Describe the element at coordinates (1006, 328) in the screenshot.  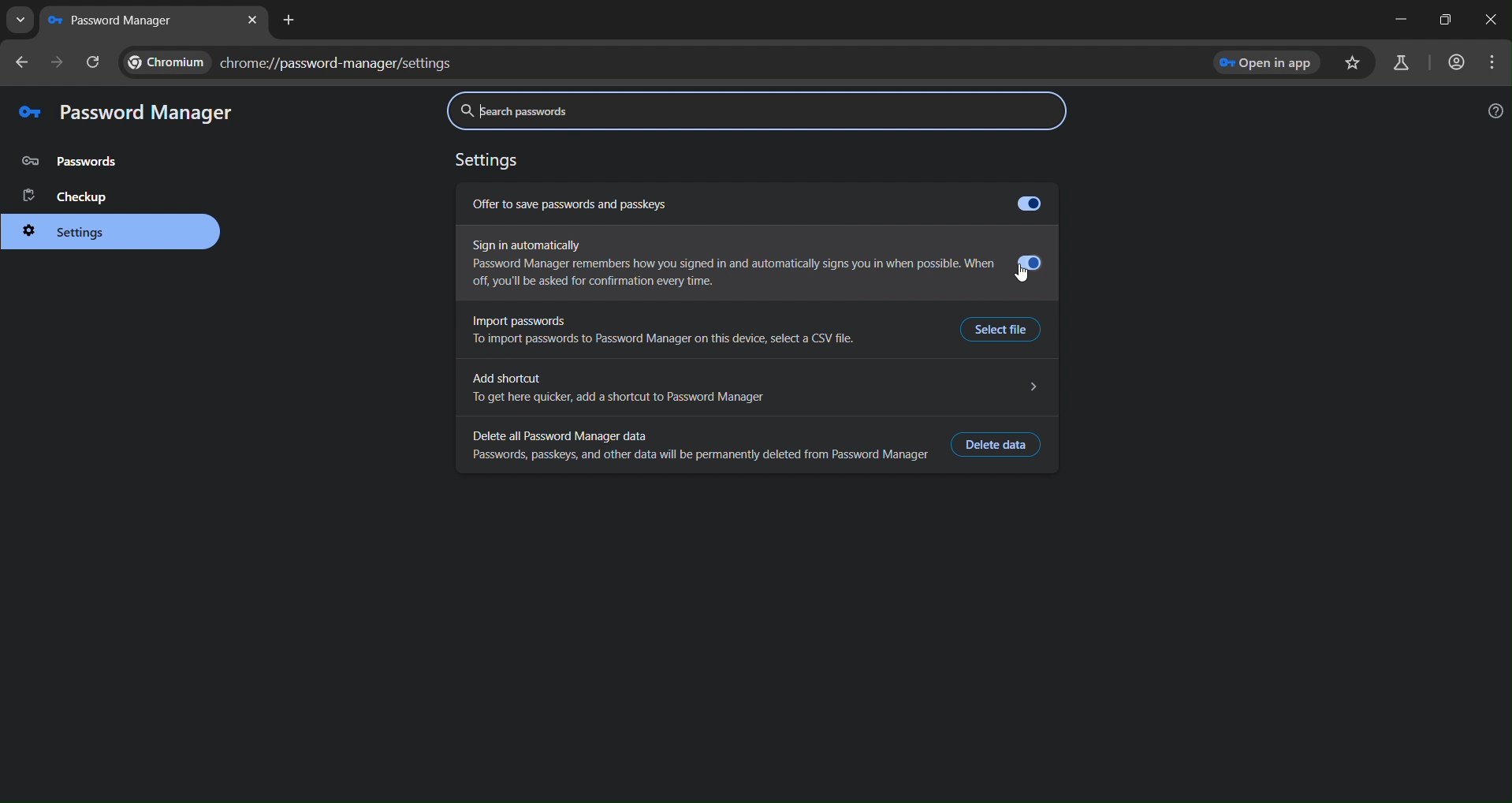
I see `Select file ` at that location.